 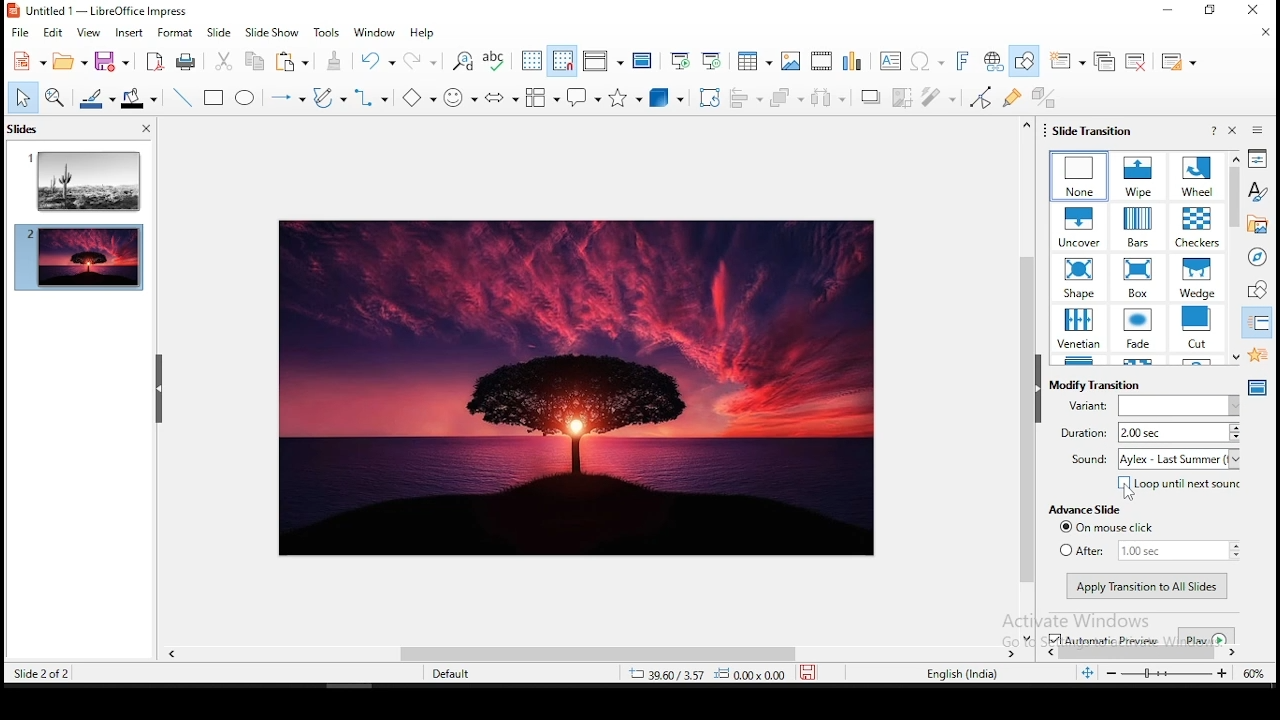 What do you see at coordinates (589, 654) in the screenshot?
I see `scroll bar` at bounding box center [589, 654].